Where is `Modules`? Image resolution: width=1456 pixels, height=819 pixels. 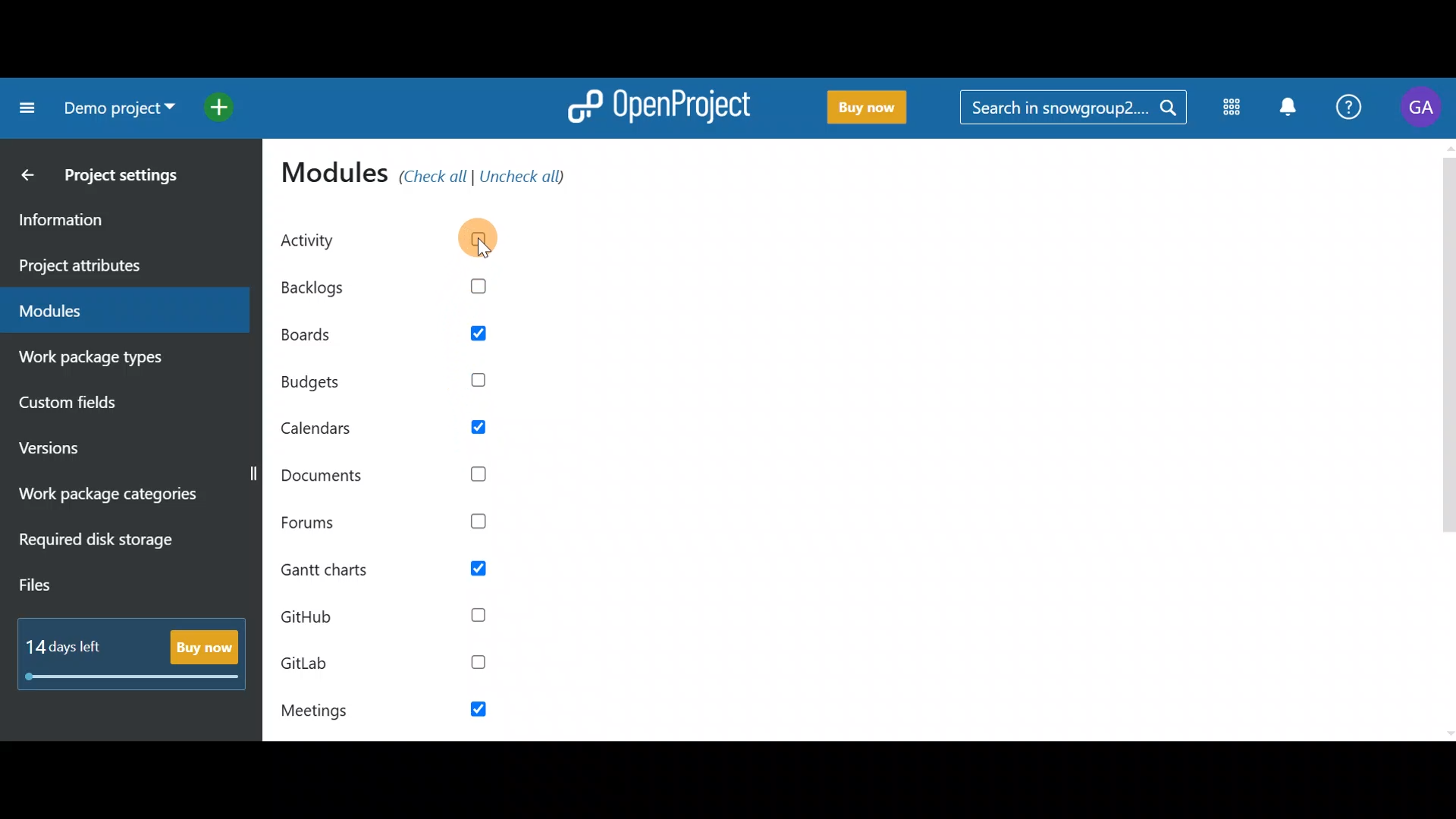 Modules is located at coordinates (1234, 108).